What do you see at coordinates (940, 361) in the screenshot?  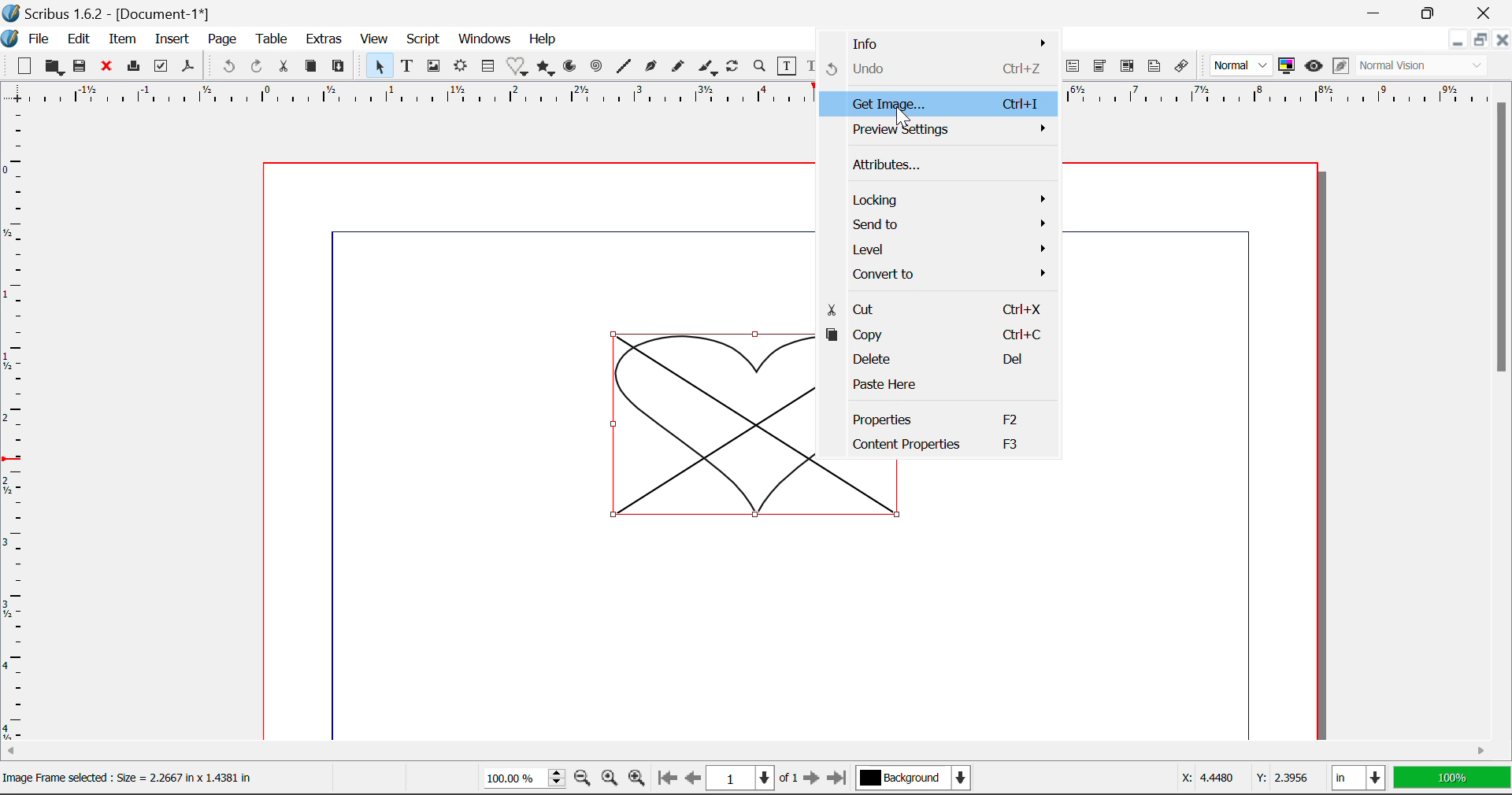 I see `Delete` at bounding box center [940, 361].